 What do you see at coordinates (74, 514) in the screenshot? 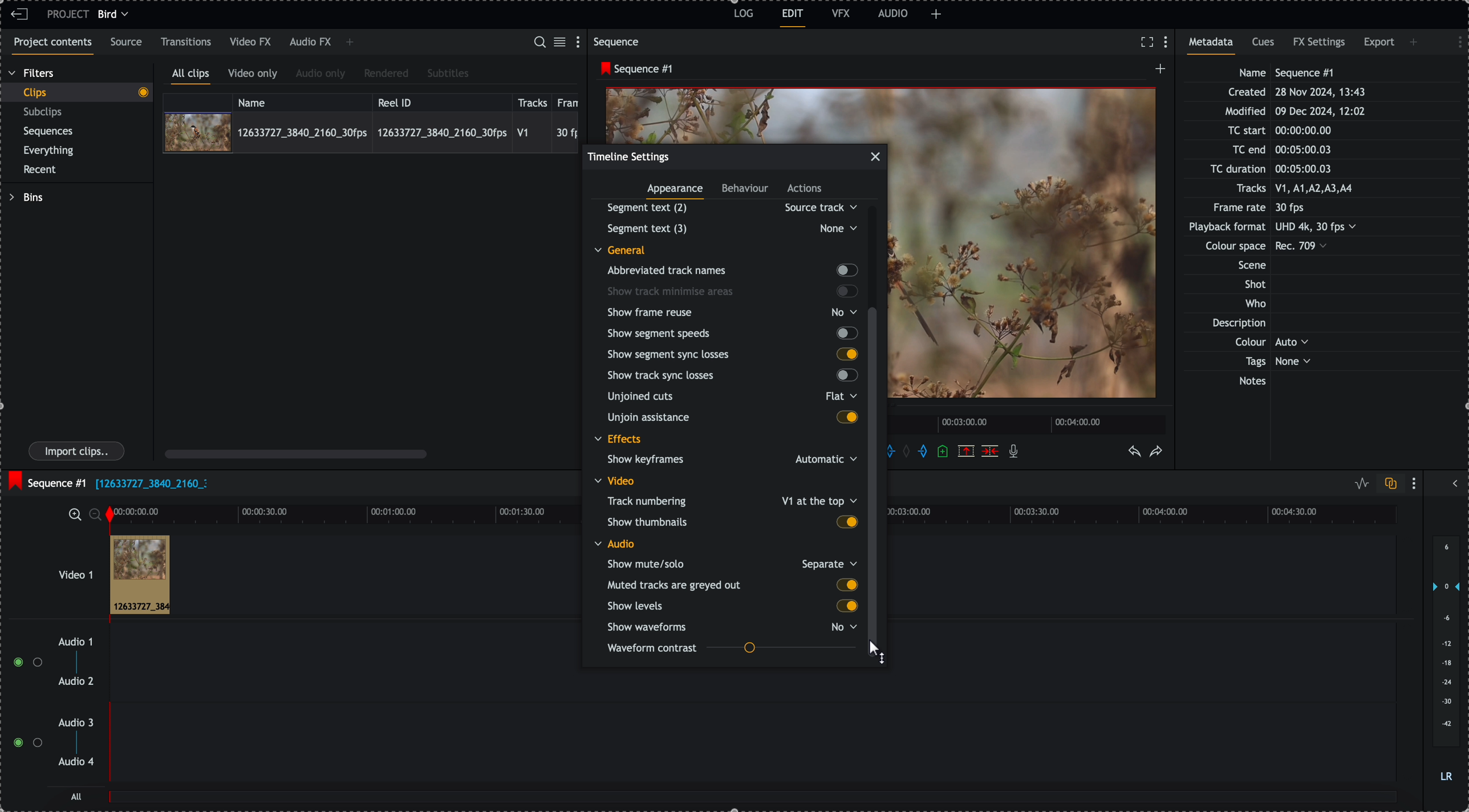
I see `zoom in` at bounding box center [74, 514].